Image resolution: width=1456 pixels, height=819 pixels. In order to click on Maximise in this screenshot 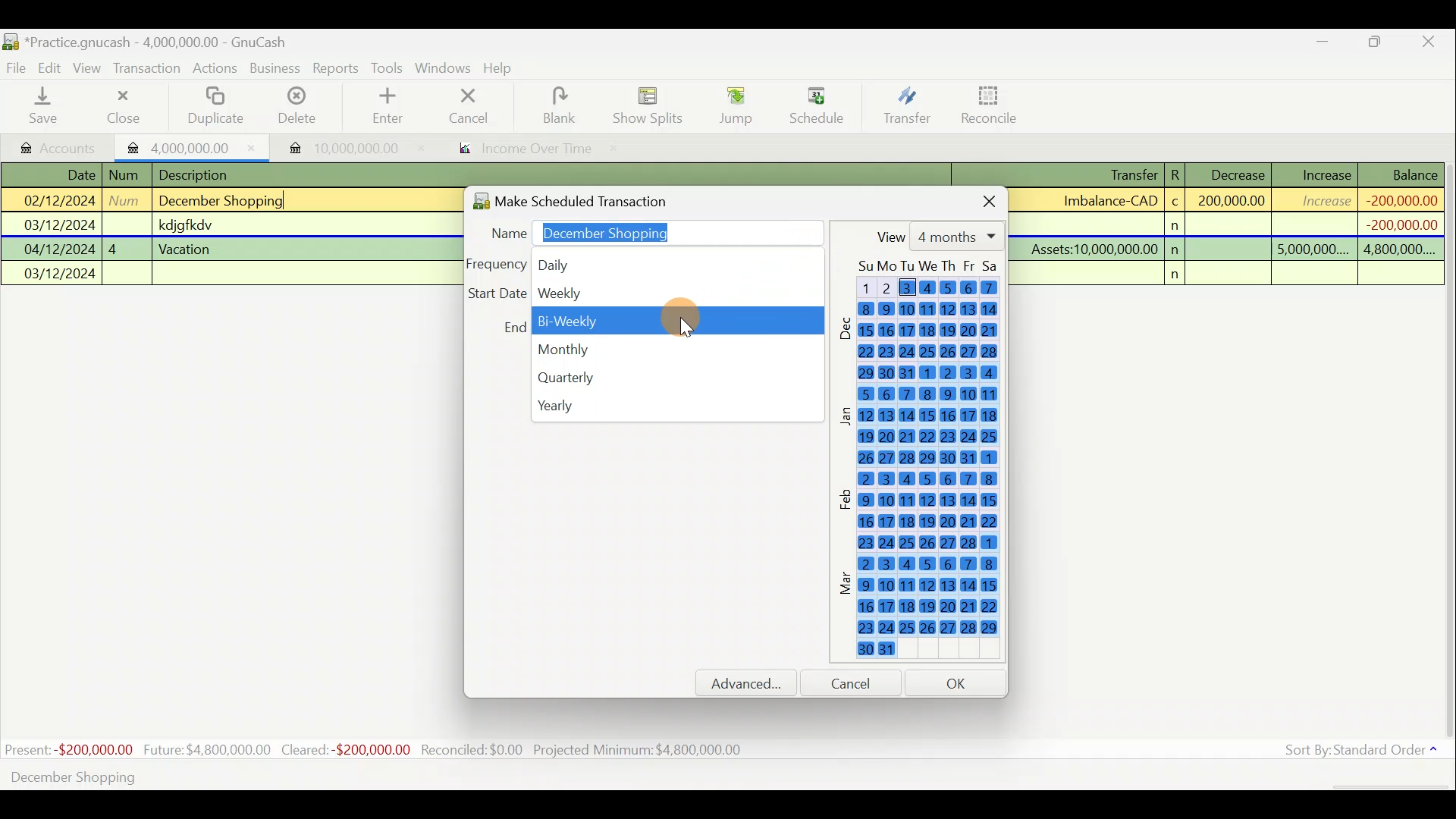, I will do `click(1376, 44)`.